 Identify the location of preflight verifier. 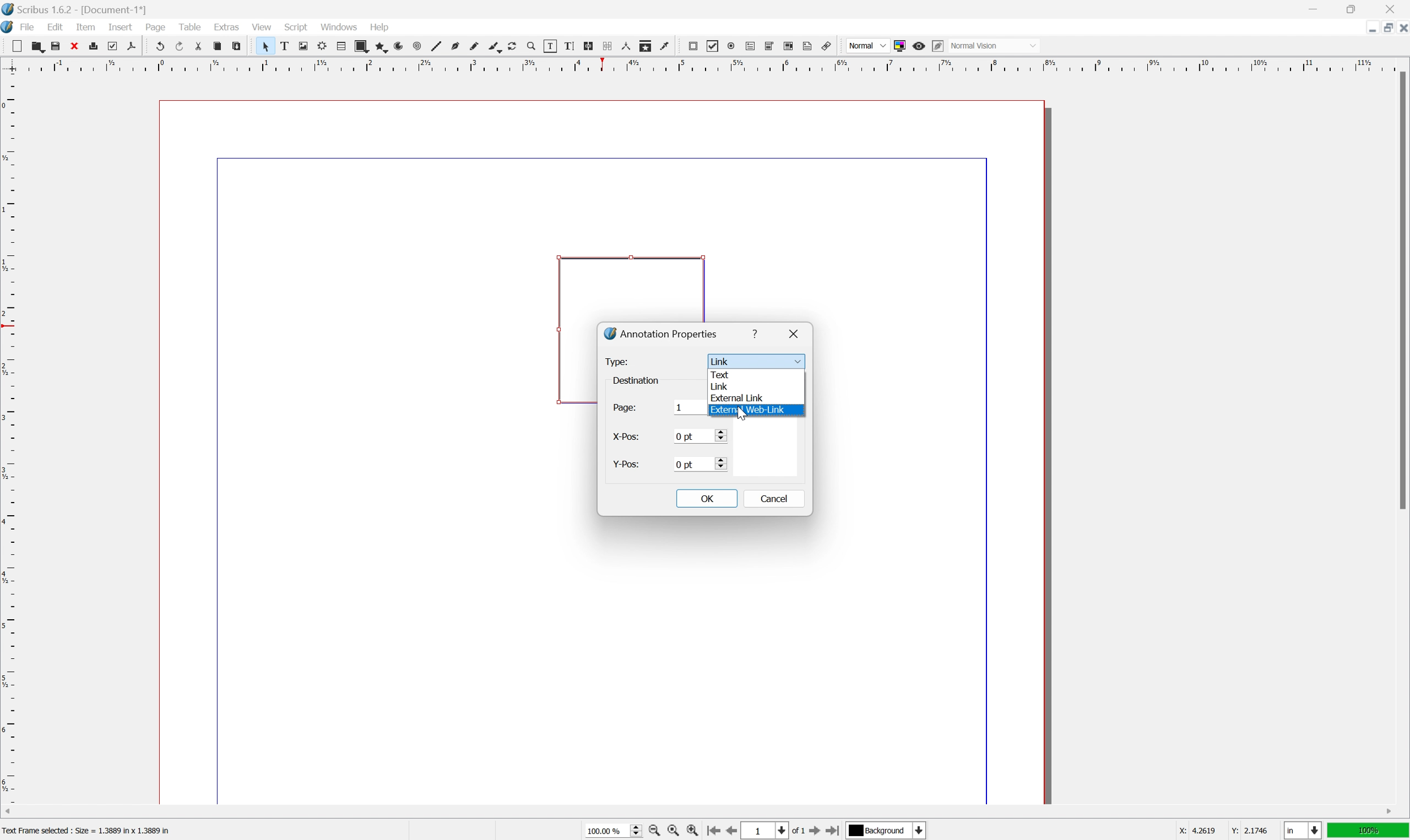
(113, 46).